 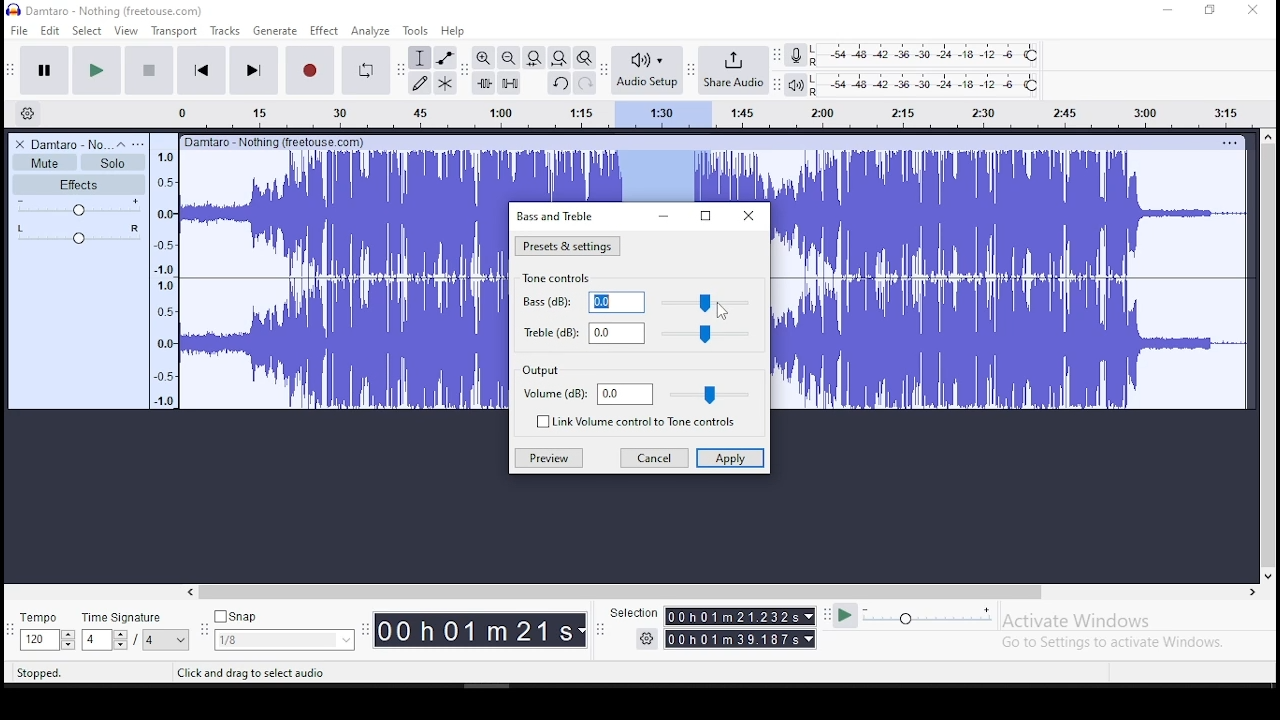 I want to click on drop down, so click(x=119, y=640).